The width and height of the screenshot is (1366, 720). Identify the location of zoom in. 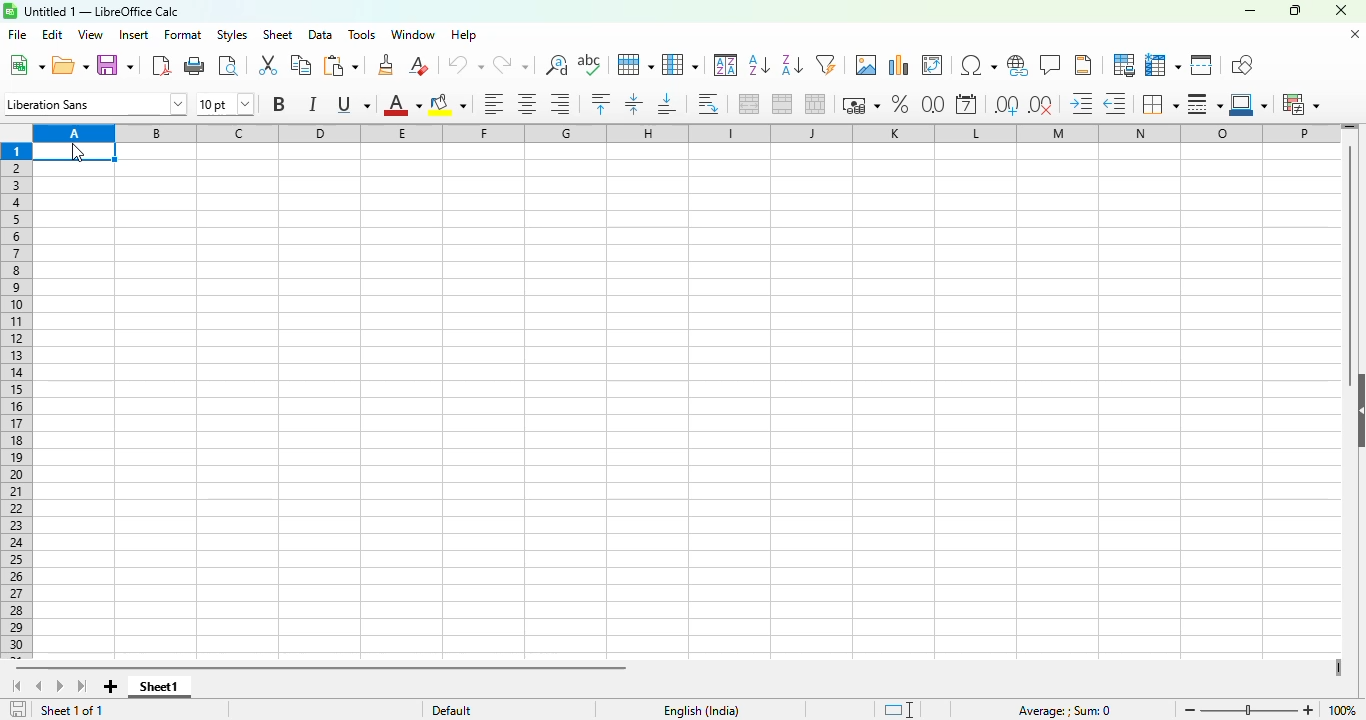
(1308, 710).